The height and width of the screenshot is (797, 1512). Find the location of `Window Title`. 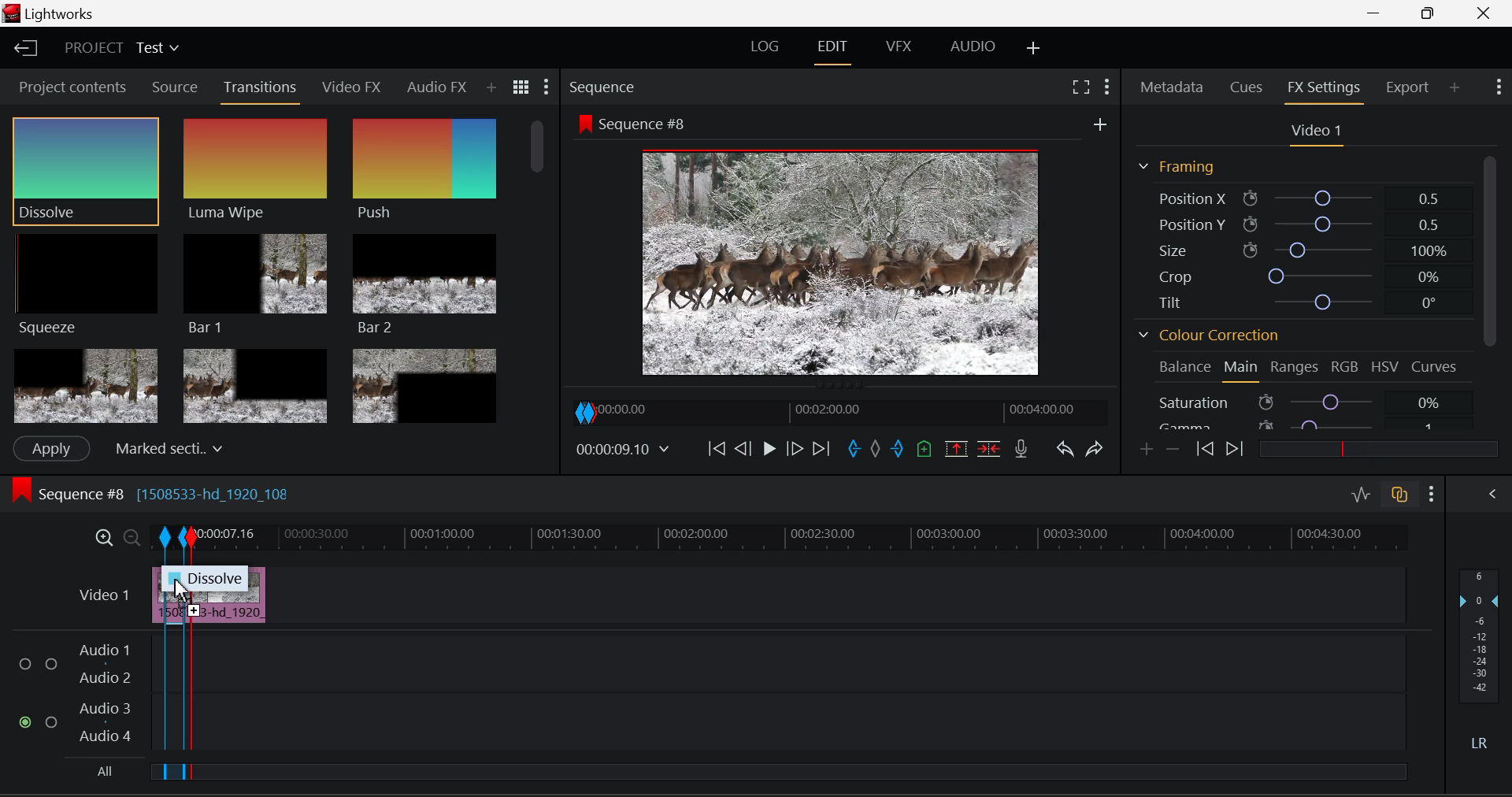

Window Title is located at coordinates (50, 13).